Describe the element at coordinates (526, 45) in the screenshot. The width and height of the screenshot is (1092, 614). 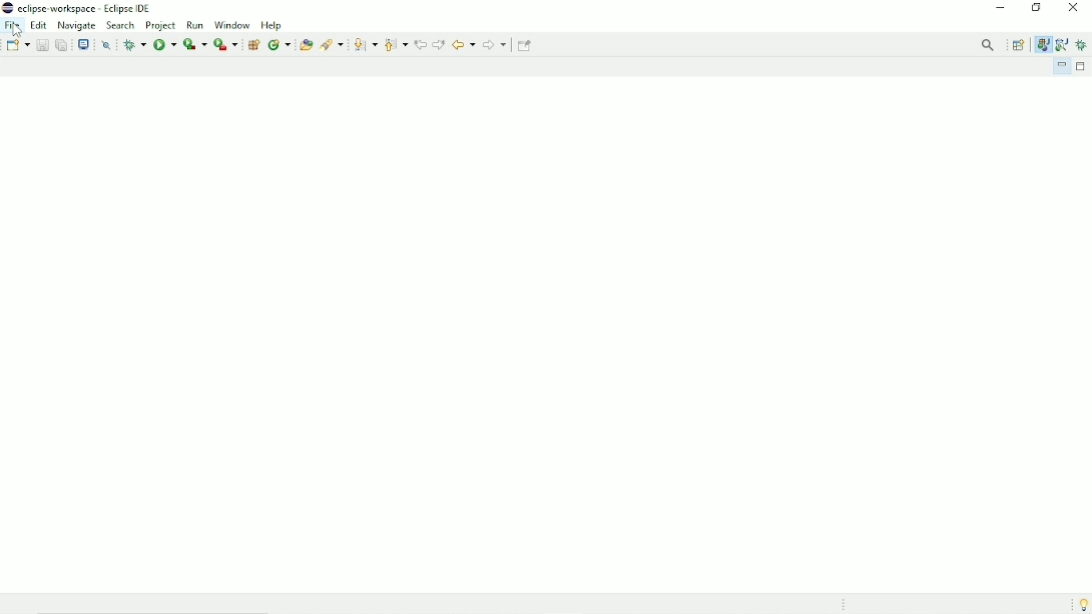
I see `Pin editor` at that location.